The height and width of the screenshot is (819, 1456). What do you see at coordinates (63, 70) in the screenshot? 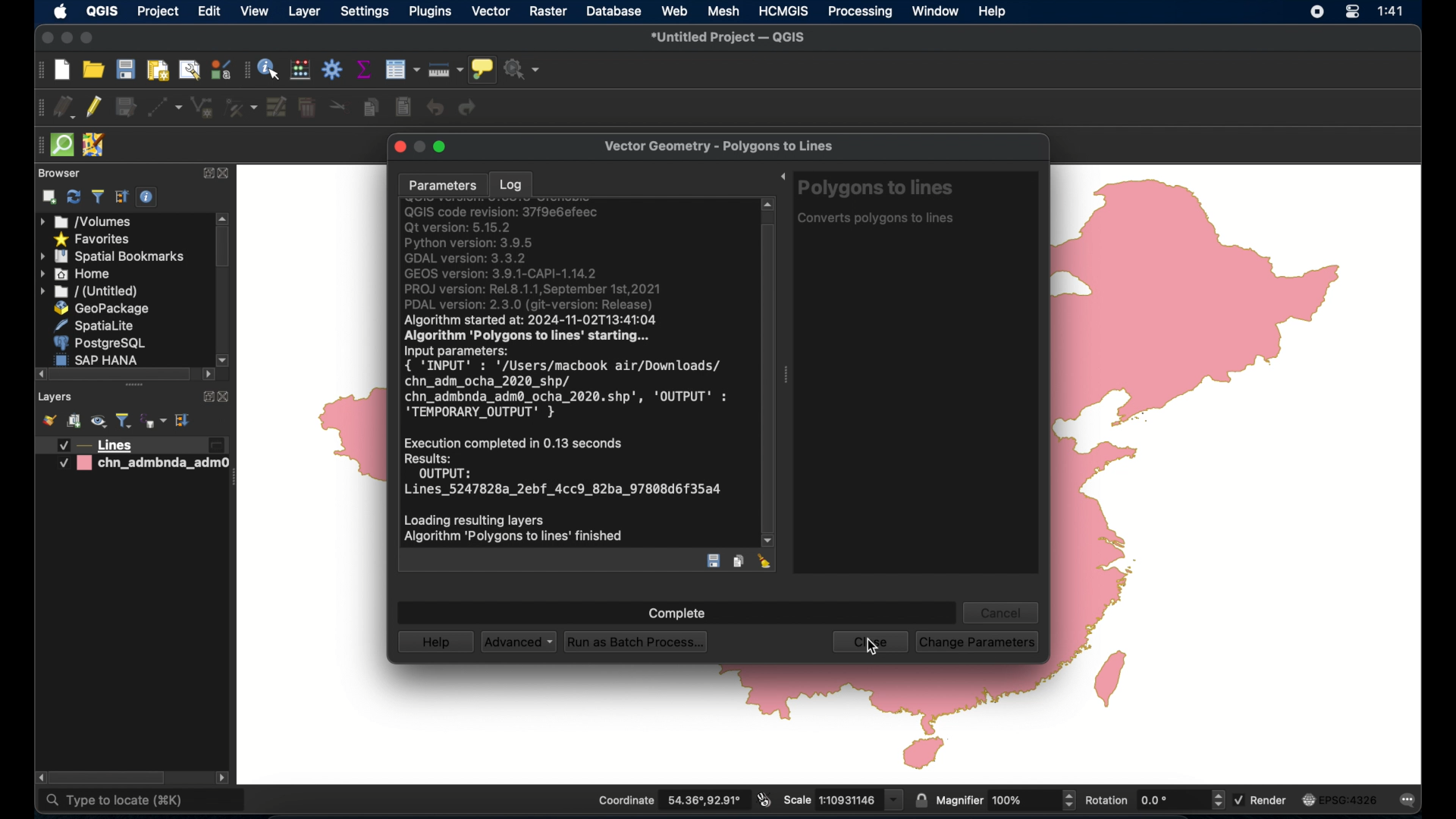
I see `new project` at bounding box center [63, 70].